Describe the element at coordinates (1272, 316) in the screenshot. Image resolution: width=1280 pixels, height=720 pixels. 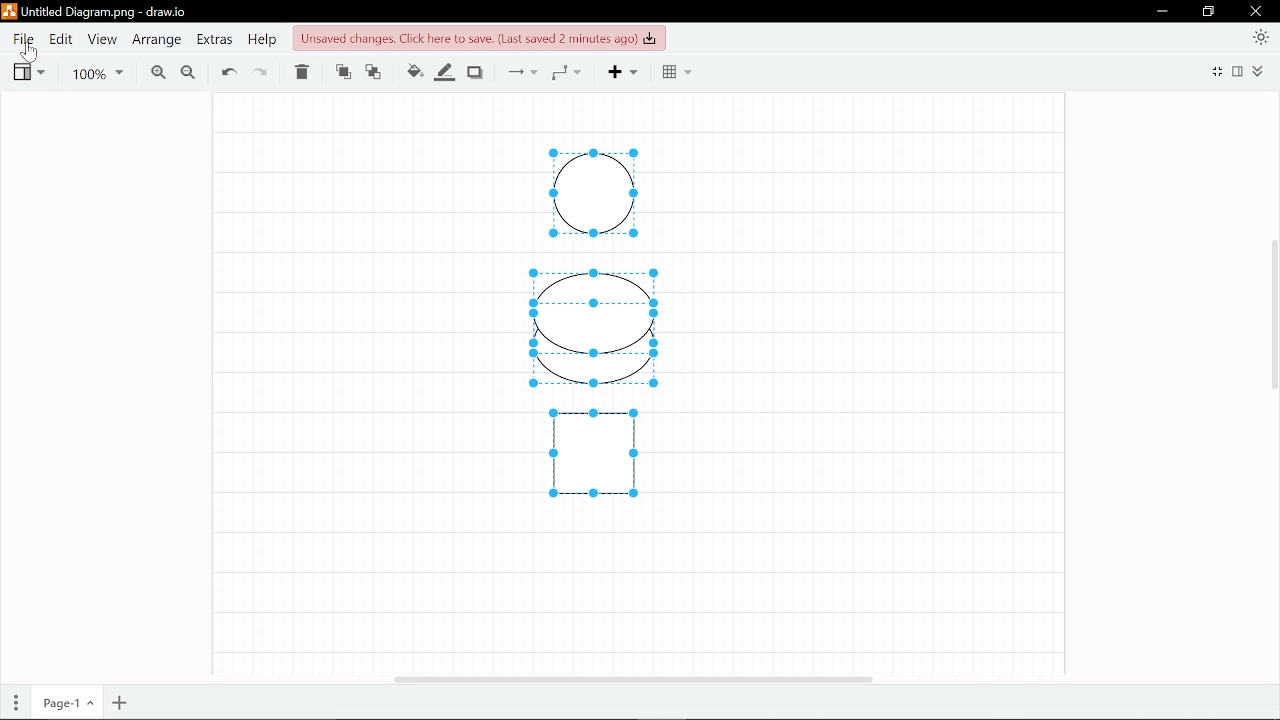
I see `Vertical cursor` at that location.